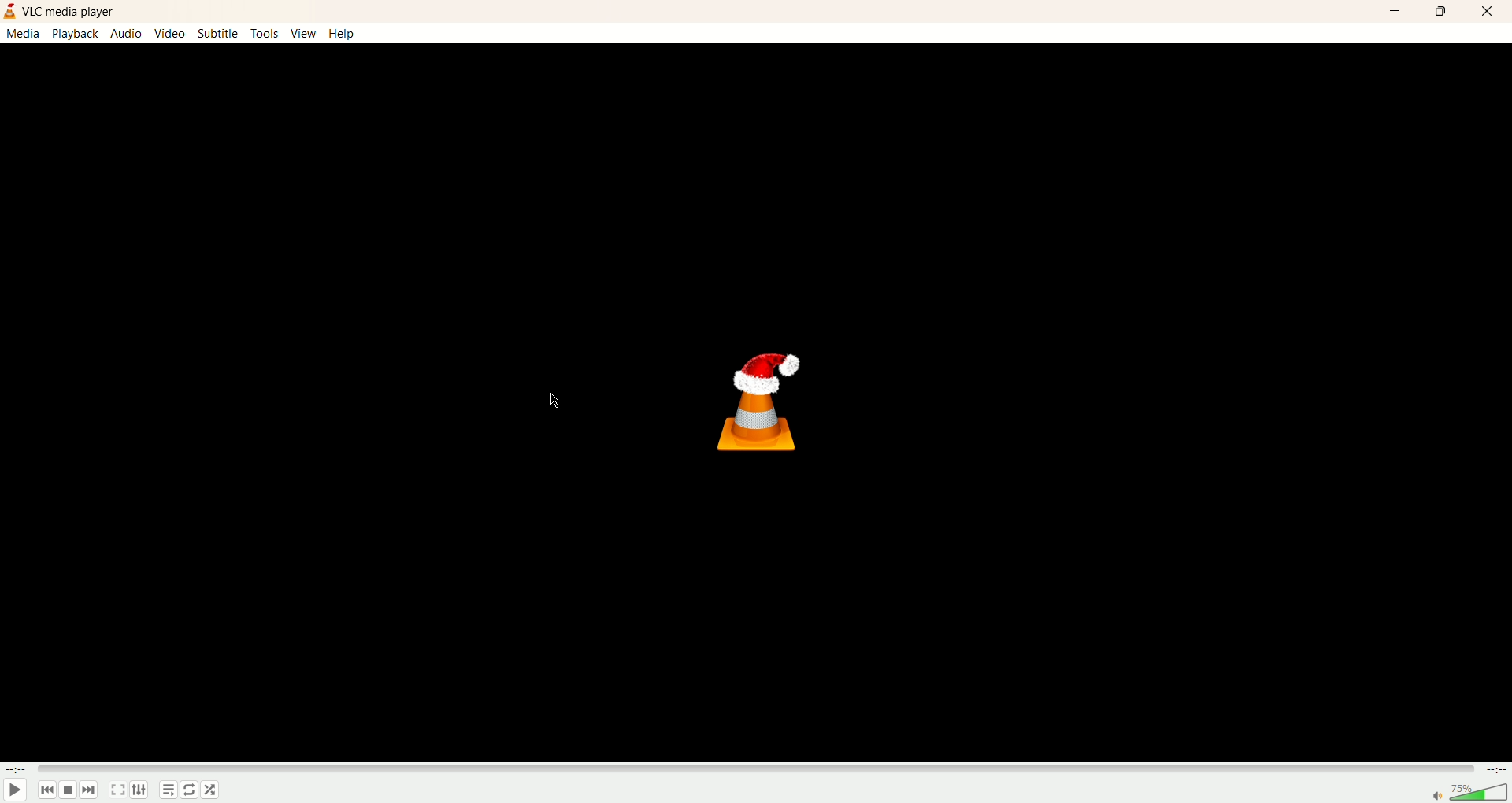 Image resolution: width=1512 pixels, height=803 pixels. Describe the element at coordinates (190, 790) in the screenshot. I see `shuffle` at that location.